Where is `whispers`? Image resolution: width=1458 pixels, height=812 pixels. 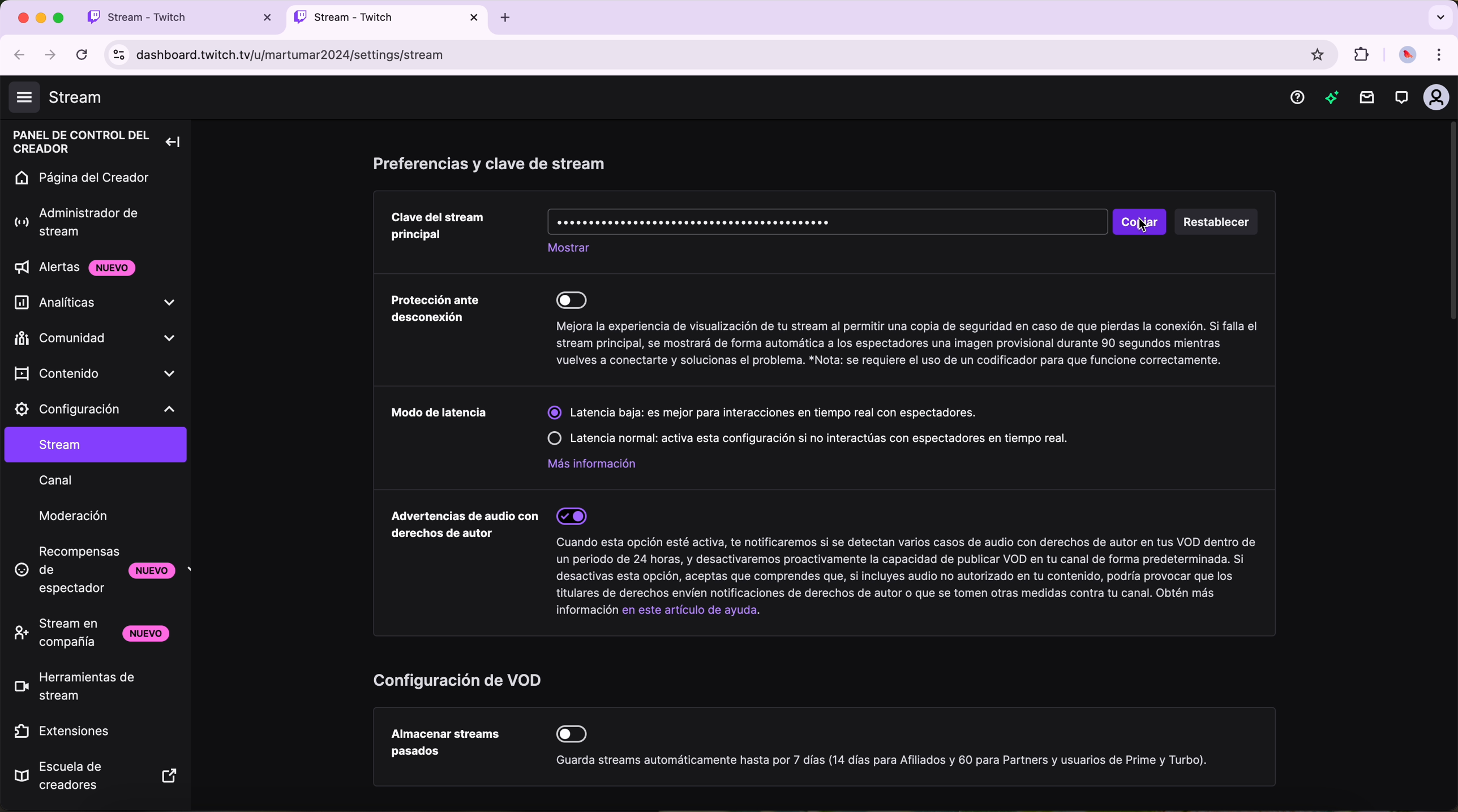 whispers is located at coordinates (1401, 97).